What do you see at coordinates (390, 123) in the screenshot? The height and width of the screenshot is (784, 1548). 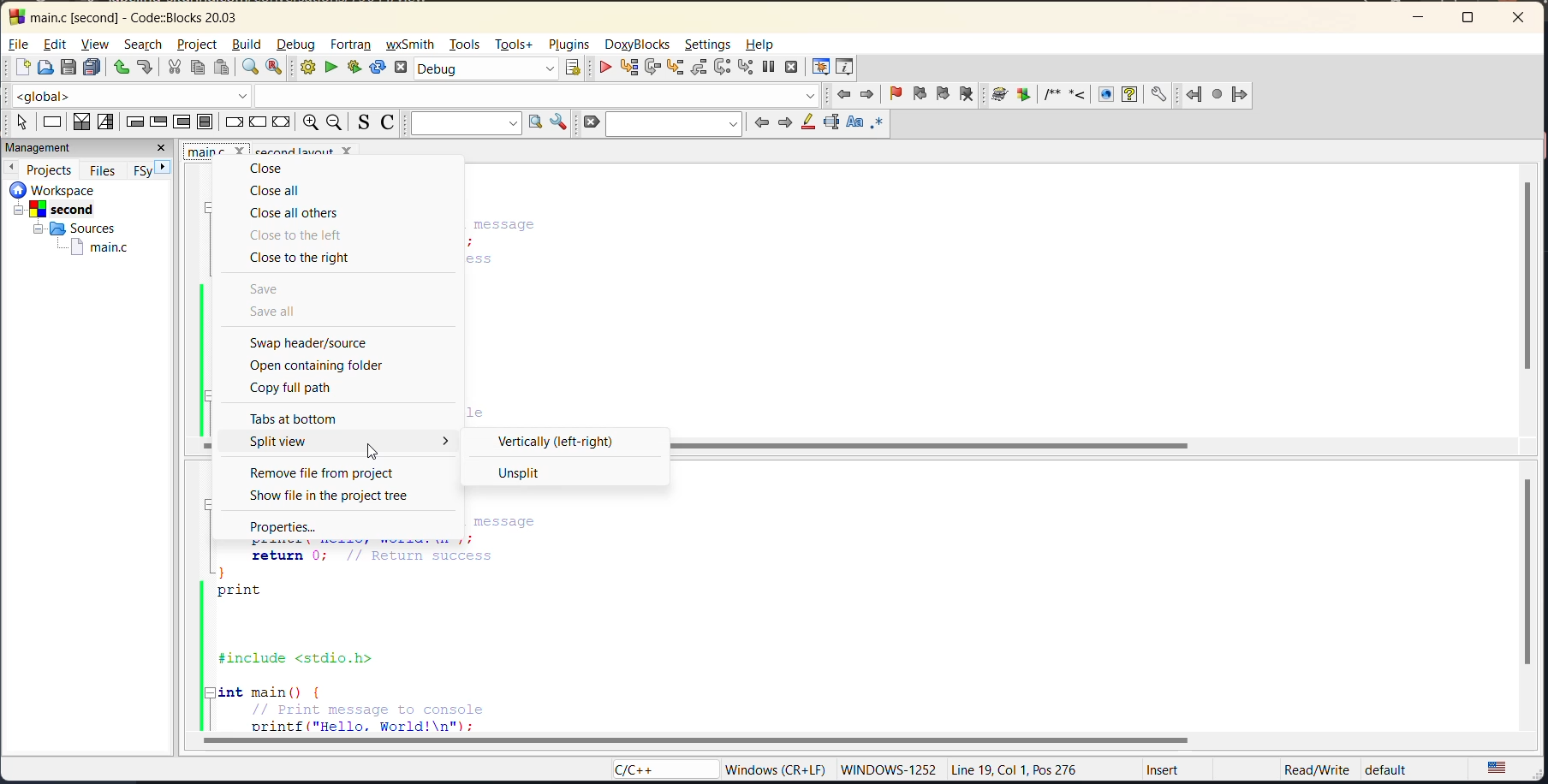 I see `toggle comments` at bounding box center [390, 123].